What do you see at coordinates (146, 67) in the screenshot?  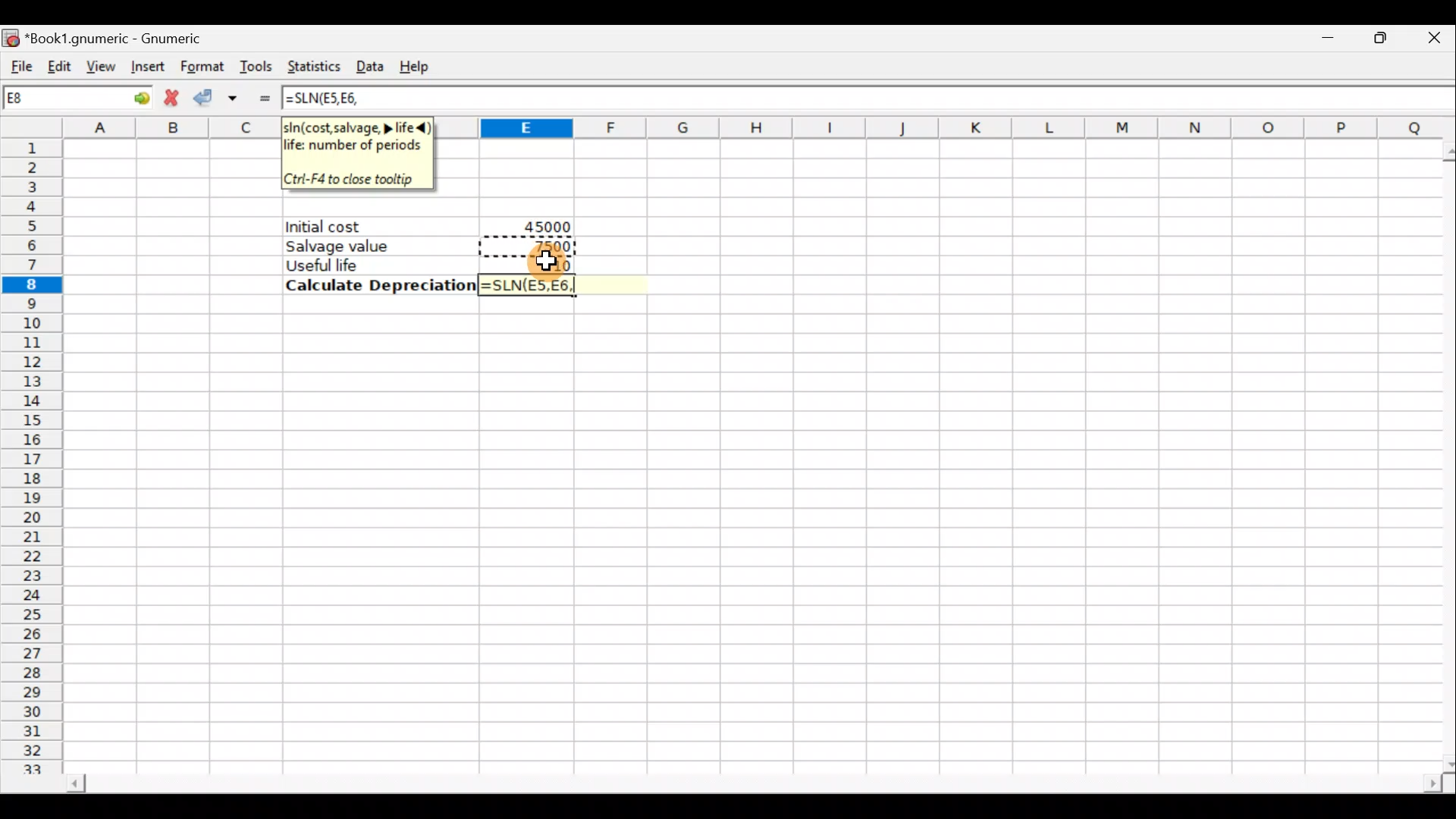 I see `Insert` at bounding box center [146, 67].